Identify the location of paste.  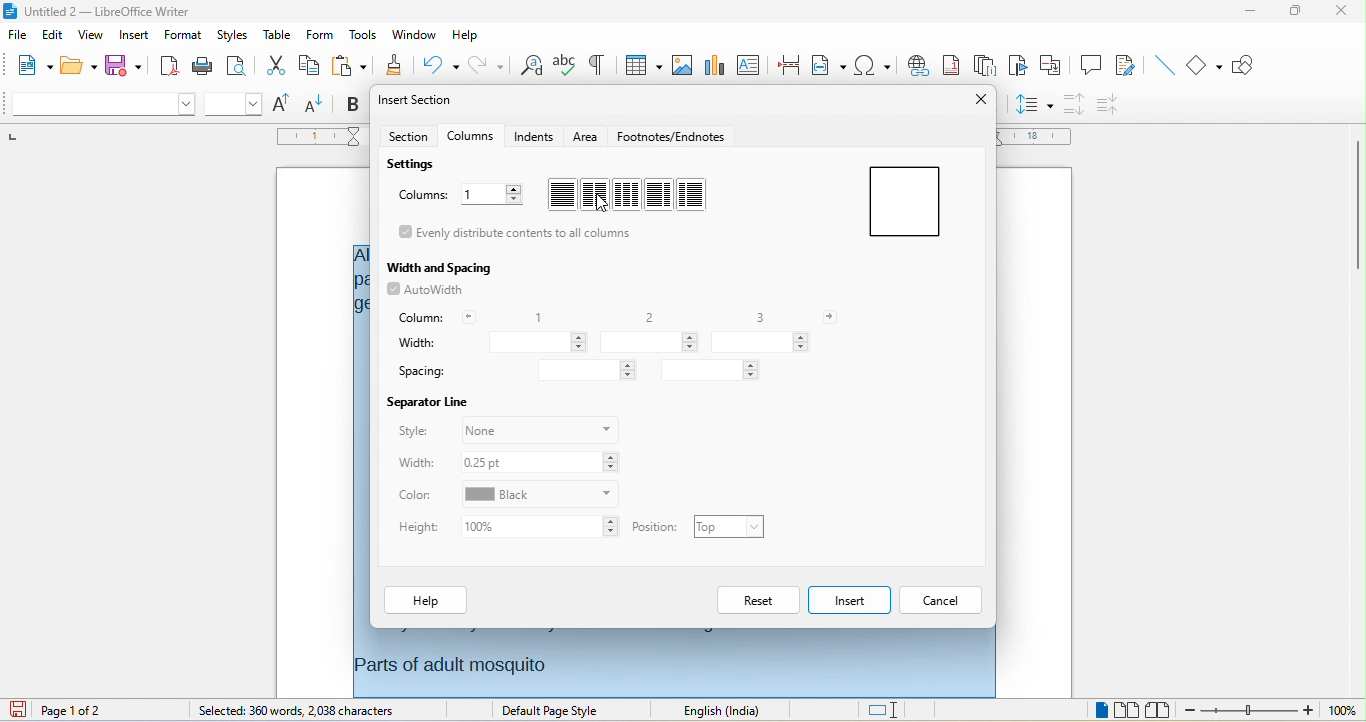
(346, 65).